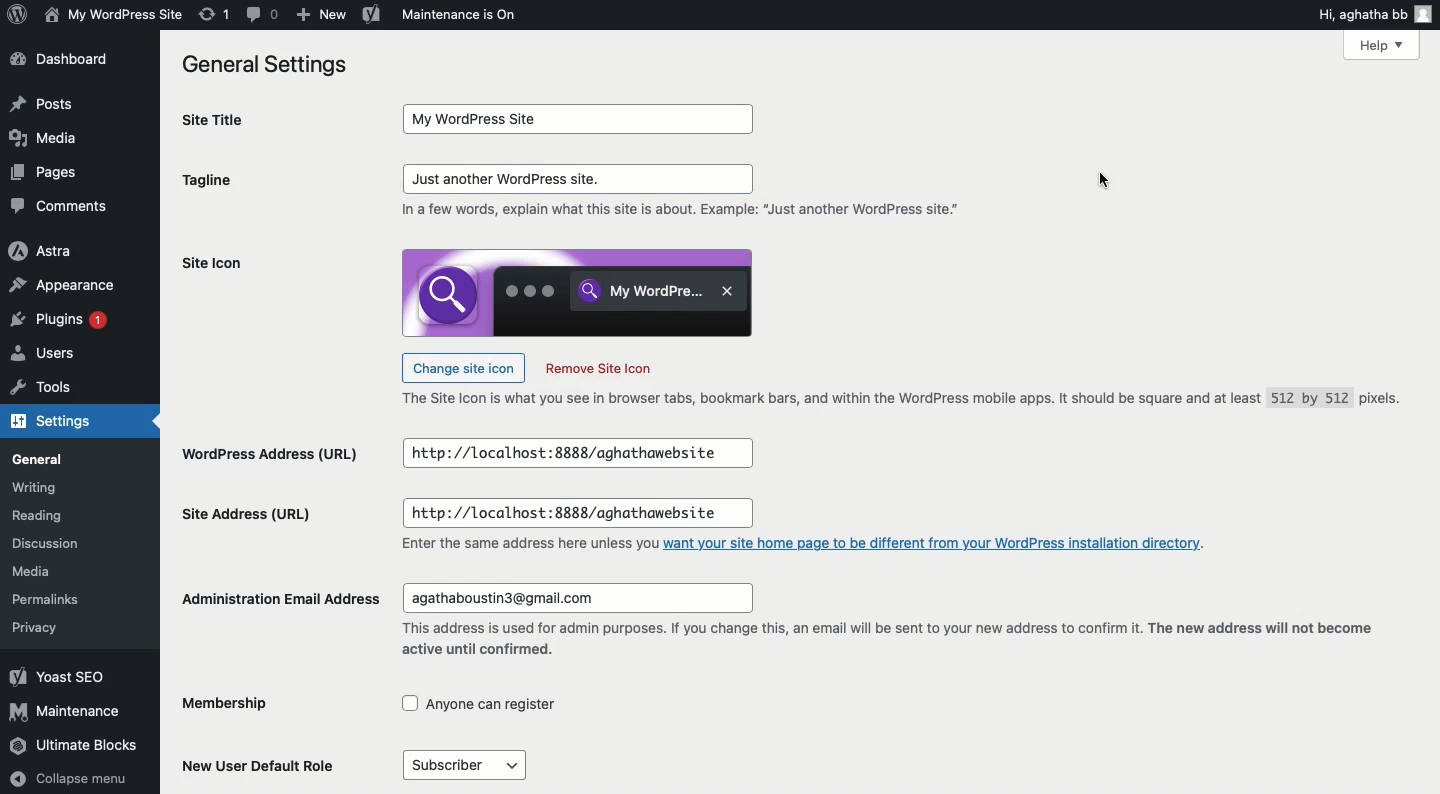 The width and height of the screenshot is (1440, 794). What do you see at coordinates (687, 211) in the screenshot?
I see `text` at bounding box center [687, 211].